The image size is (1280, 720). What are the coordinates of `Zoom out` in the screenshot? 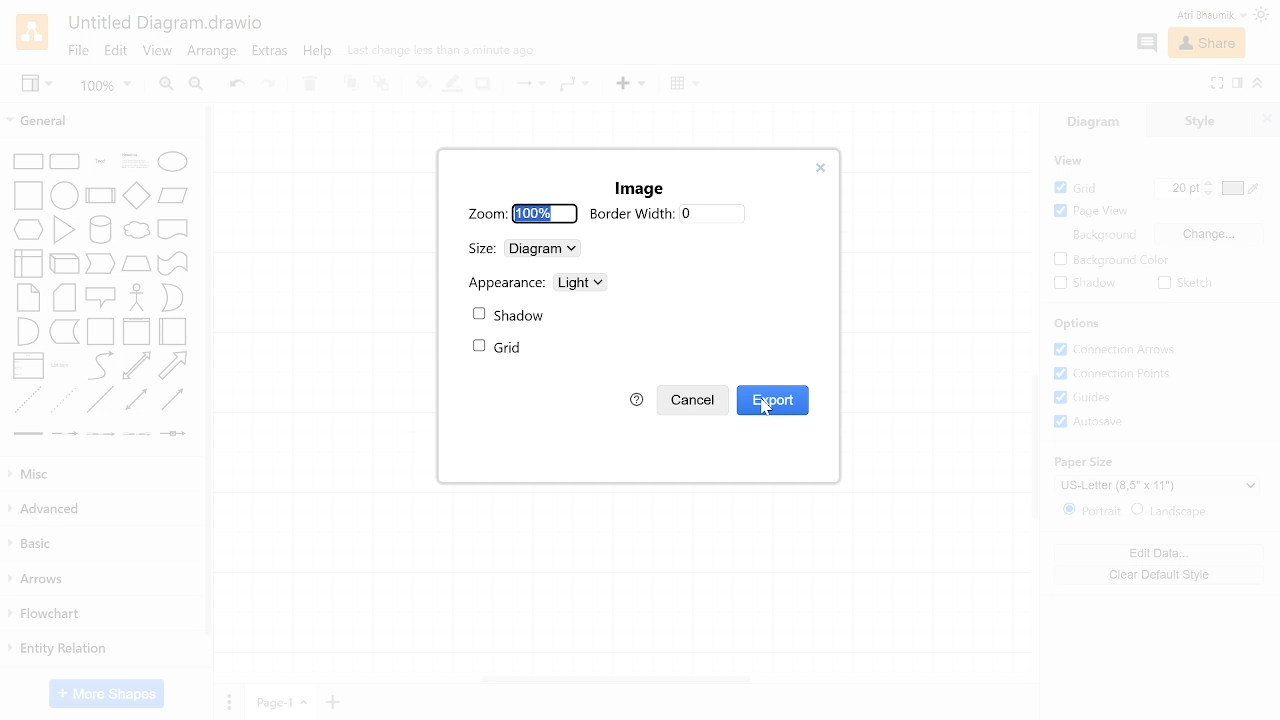 It's located at (198, 85).